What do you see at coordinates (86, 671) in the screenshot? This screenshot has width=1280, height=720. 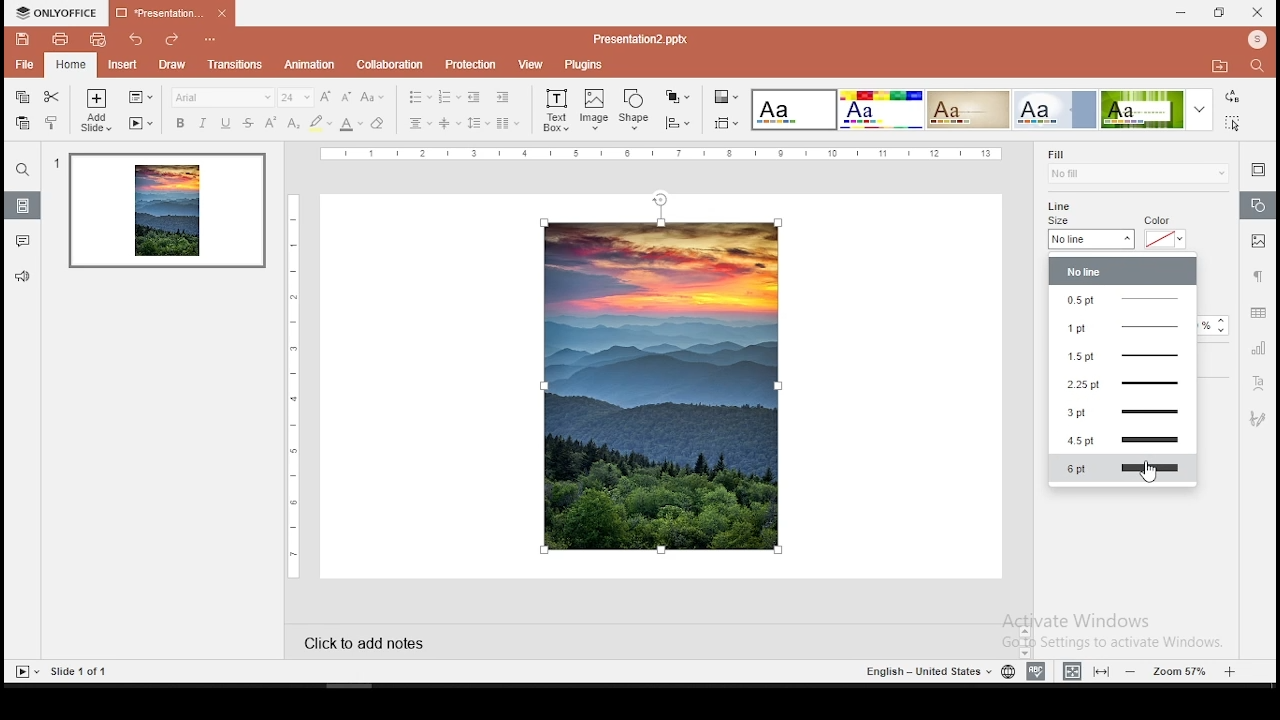 I see `slide 1 of 1` at bounding box center [86, 671].